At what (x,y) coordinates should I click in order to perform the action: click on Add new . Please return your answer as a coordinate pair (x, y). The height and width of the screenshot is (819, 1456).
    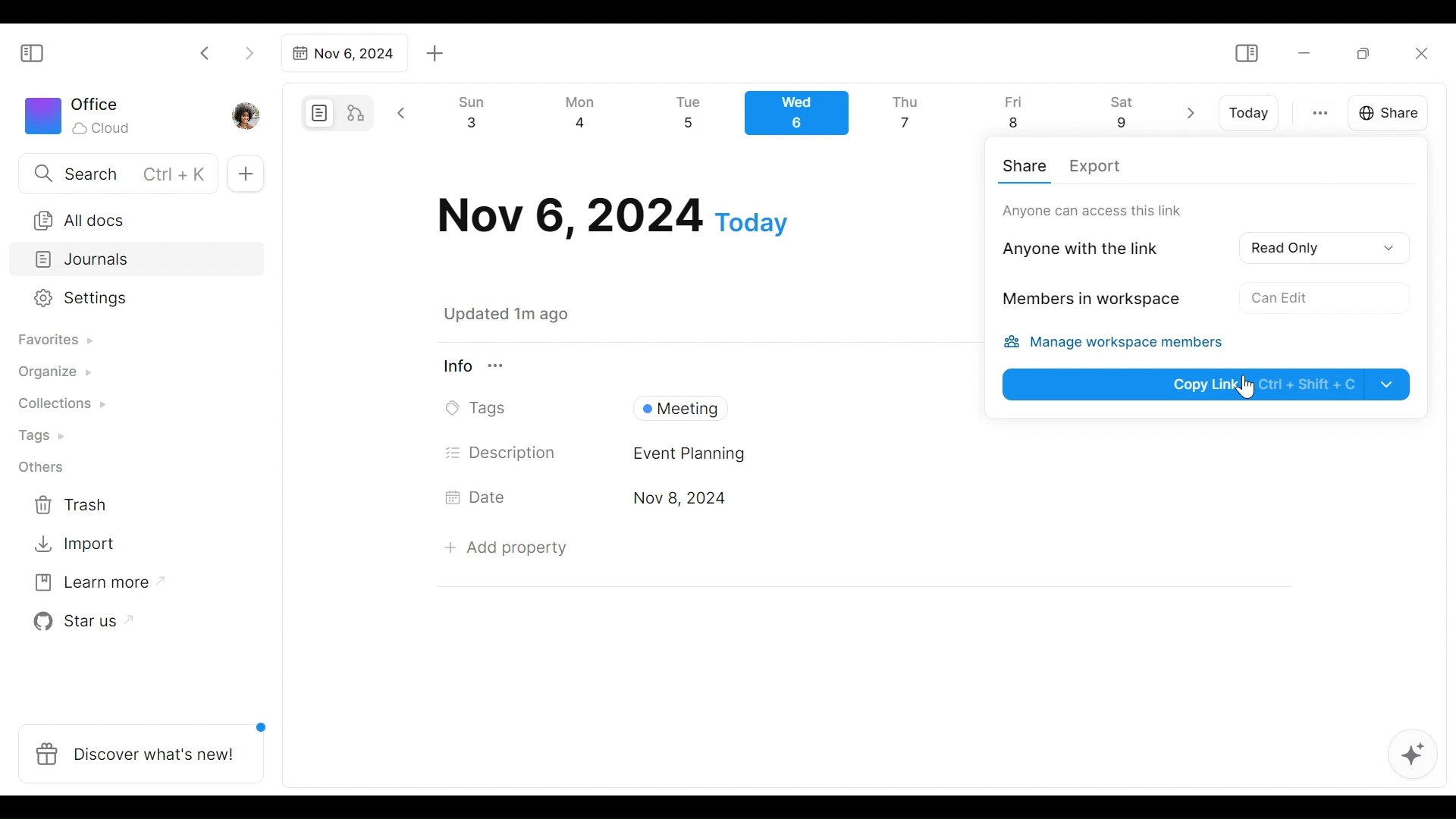
    Looking at the image, I should click on (244, 174).